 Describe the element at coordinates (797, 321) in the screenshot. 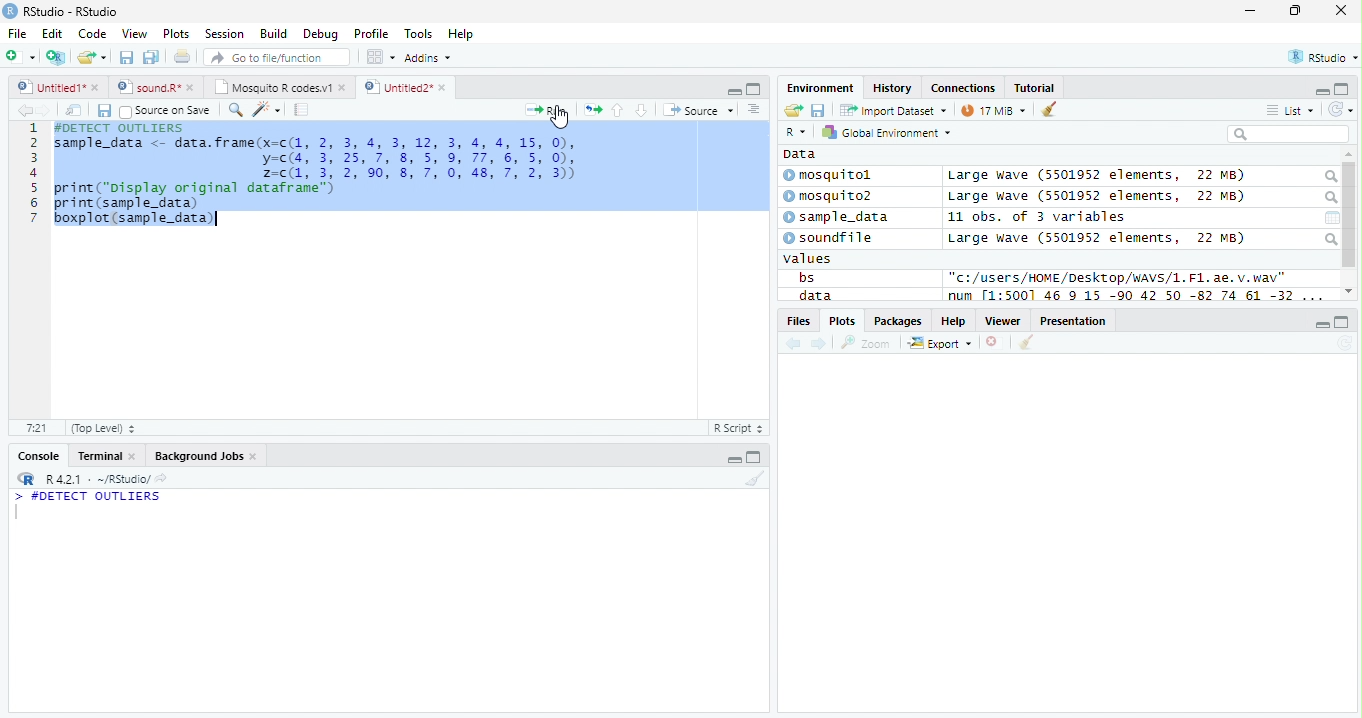

I see `Files` at that location.